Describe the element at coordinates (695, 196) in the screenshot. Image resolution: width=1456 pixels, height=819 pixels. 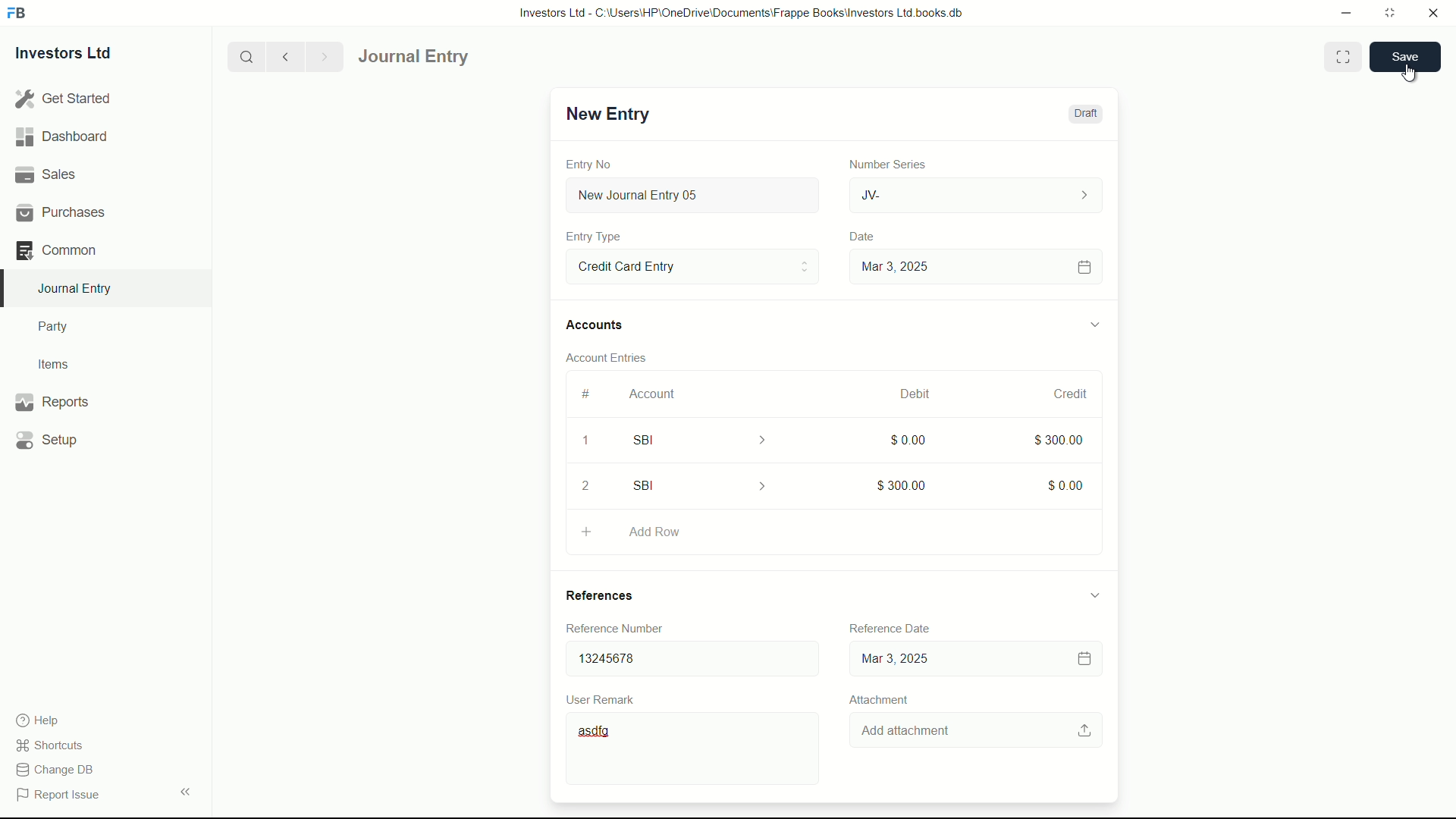
I see `New Journal Entry 05` at that location.